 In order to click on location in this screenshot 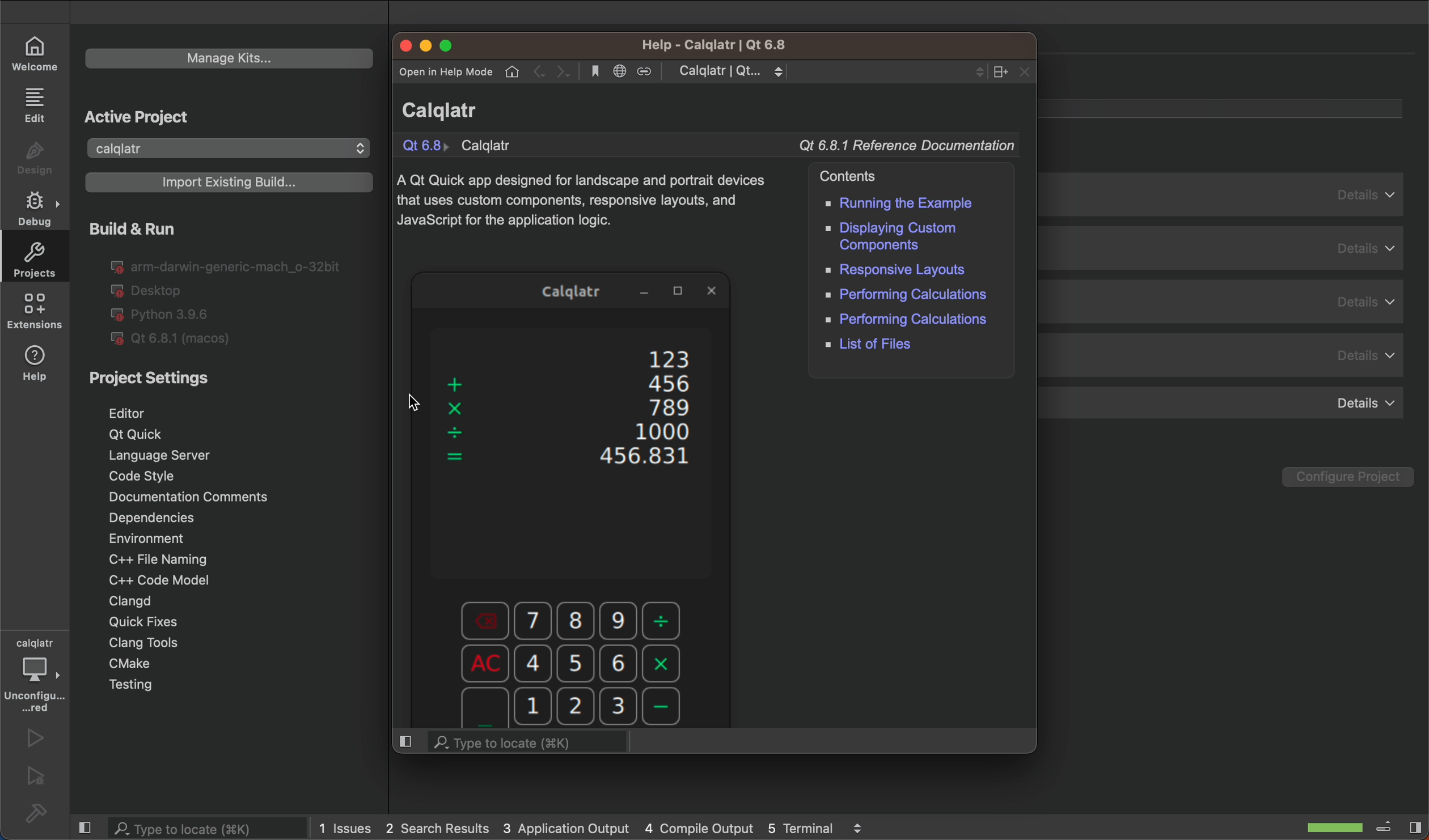, I will do `click(534, 745)`.